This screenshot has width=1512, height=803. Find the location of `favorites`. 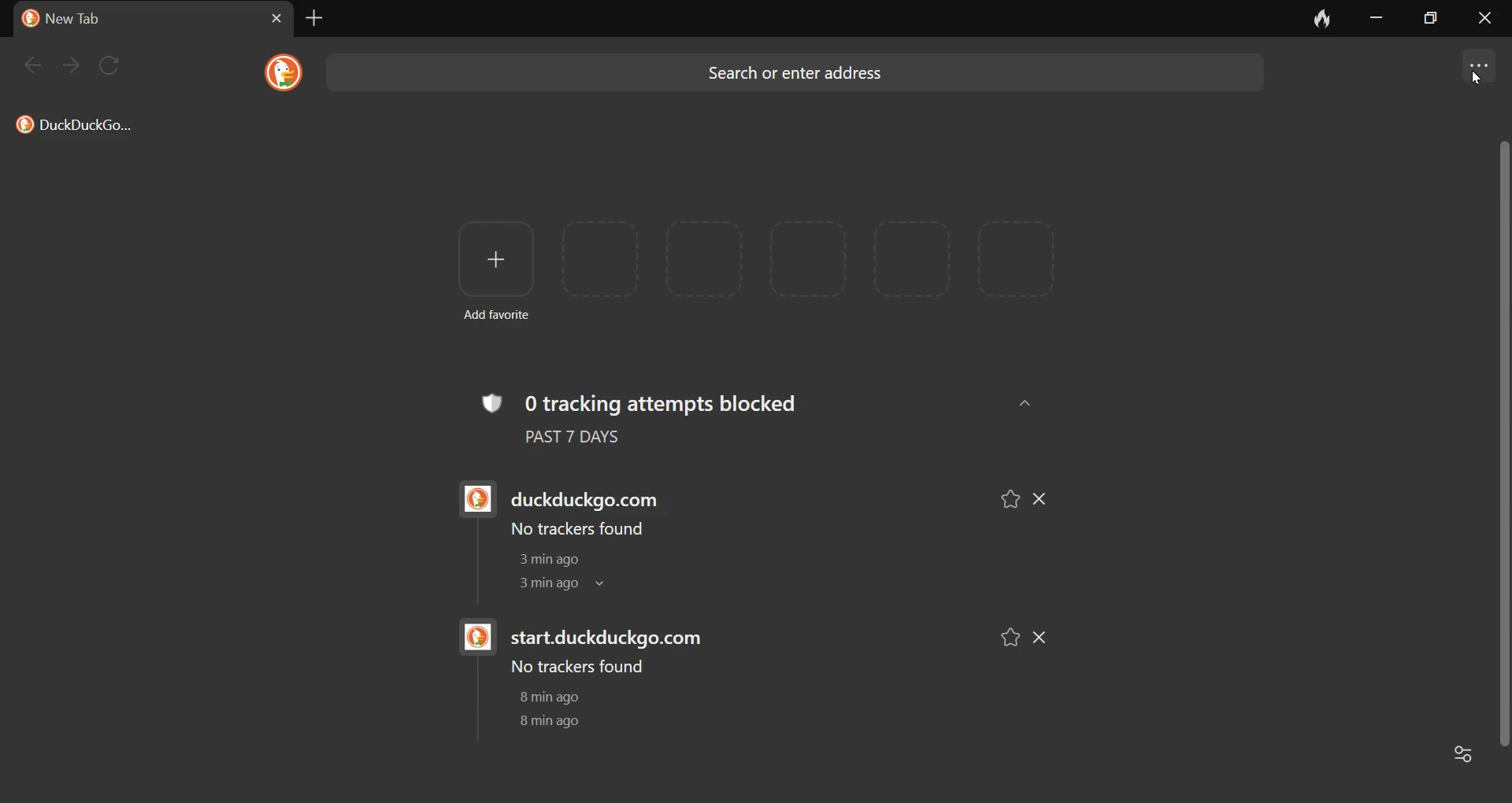

favorites is located at coordinates (1010, 495).